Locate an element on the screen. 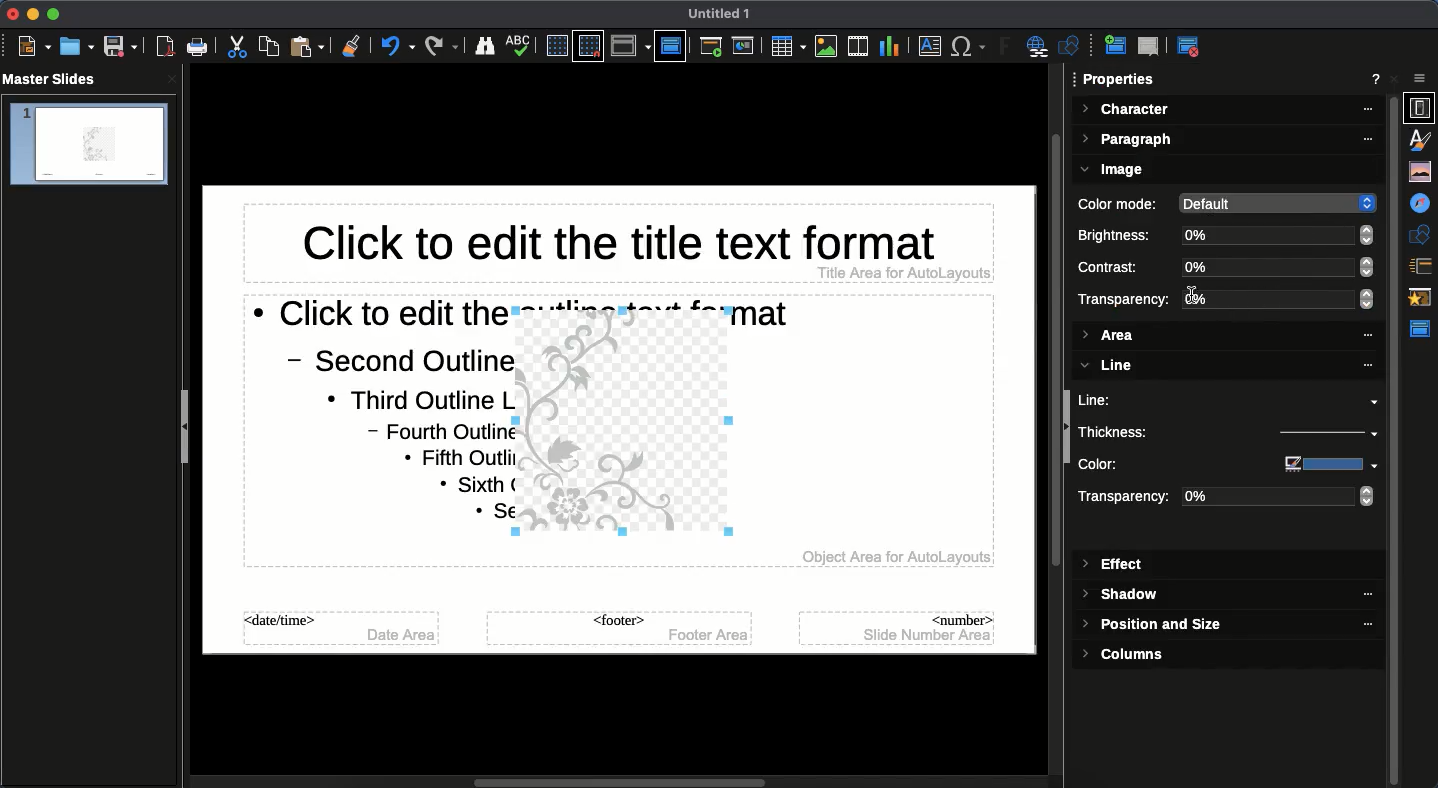  Spellcheck is located at coordinates (519, 44).